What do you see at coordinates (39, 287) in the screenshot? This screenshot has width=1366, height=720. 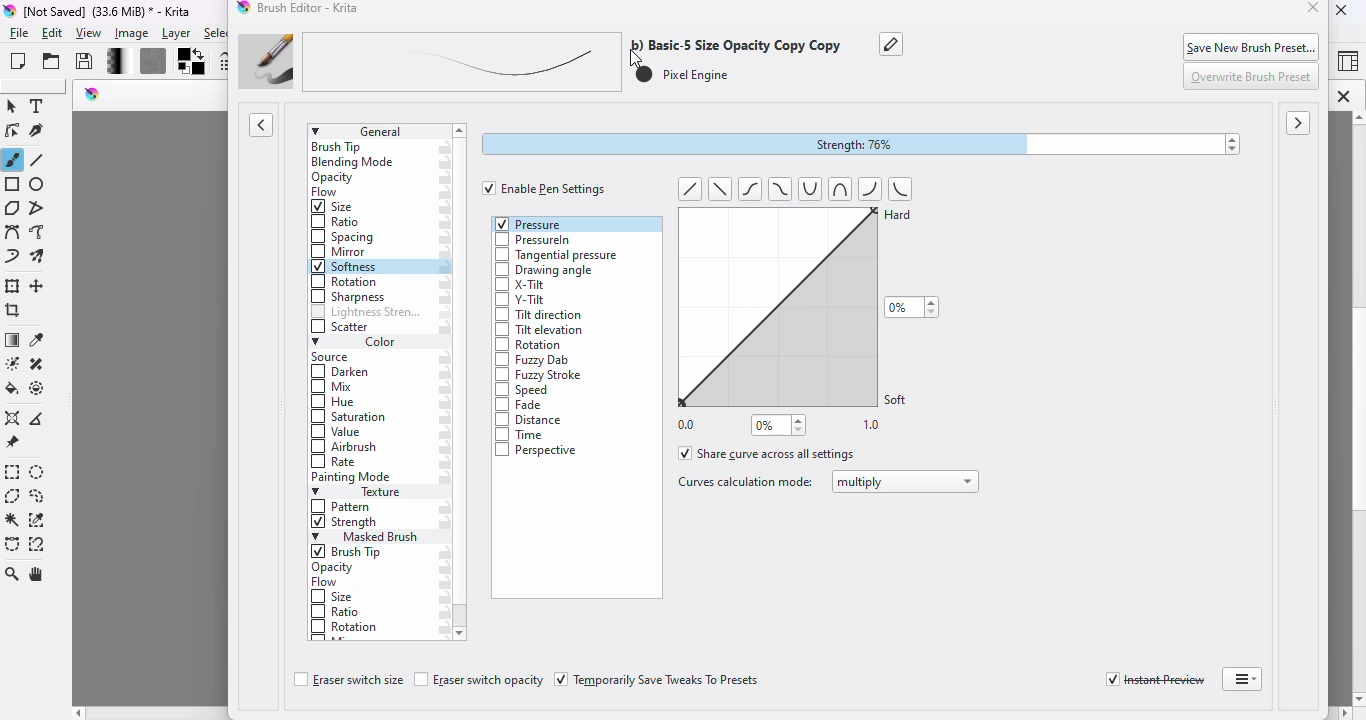 I see `move a layer` at bounding box center [39, 287].